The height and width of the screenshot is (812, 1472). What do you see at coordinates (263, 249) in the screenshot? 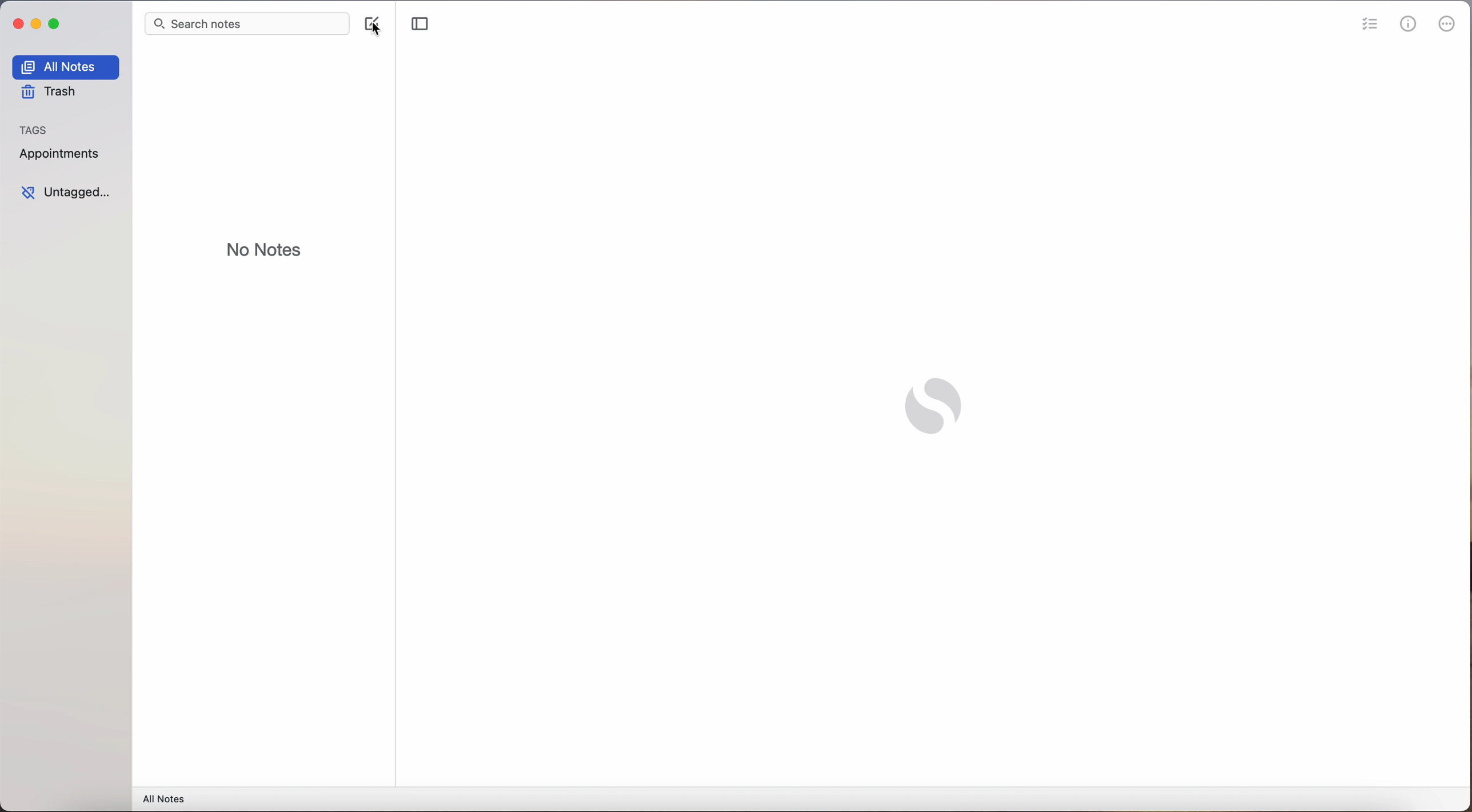
I see `no notes` at bounding box center [263, 249].